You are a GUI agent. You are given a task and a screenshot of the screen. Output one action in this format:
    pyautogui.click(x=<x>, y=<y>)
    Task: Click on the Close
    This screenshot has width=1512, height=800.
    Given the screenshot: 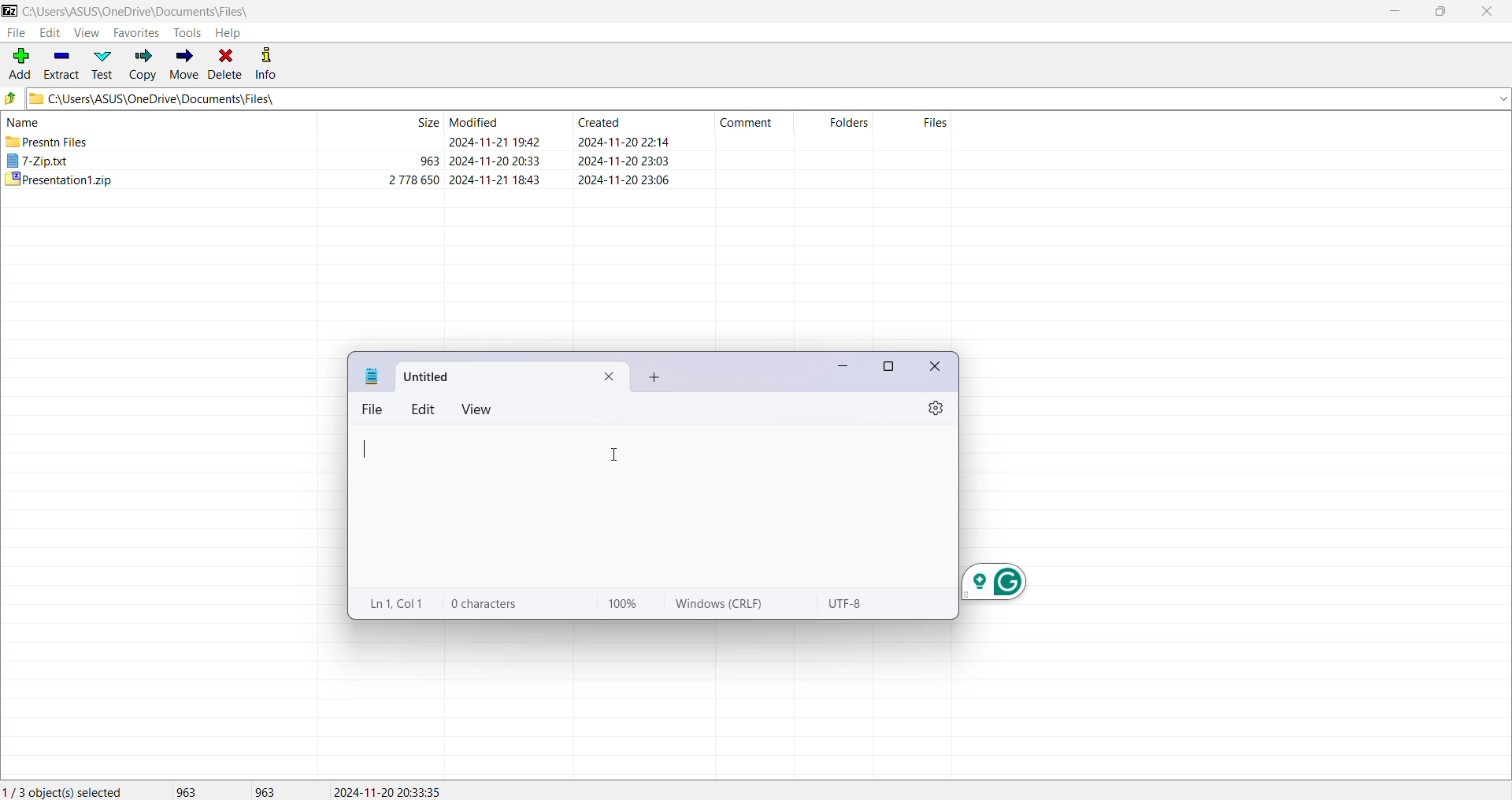 What is the action you would take?
    pyautogui.click(x=1490, y=12)
    